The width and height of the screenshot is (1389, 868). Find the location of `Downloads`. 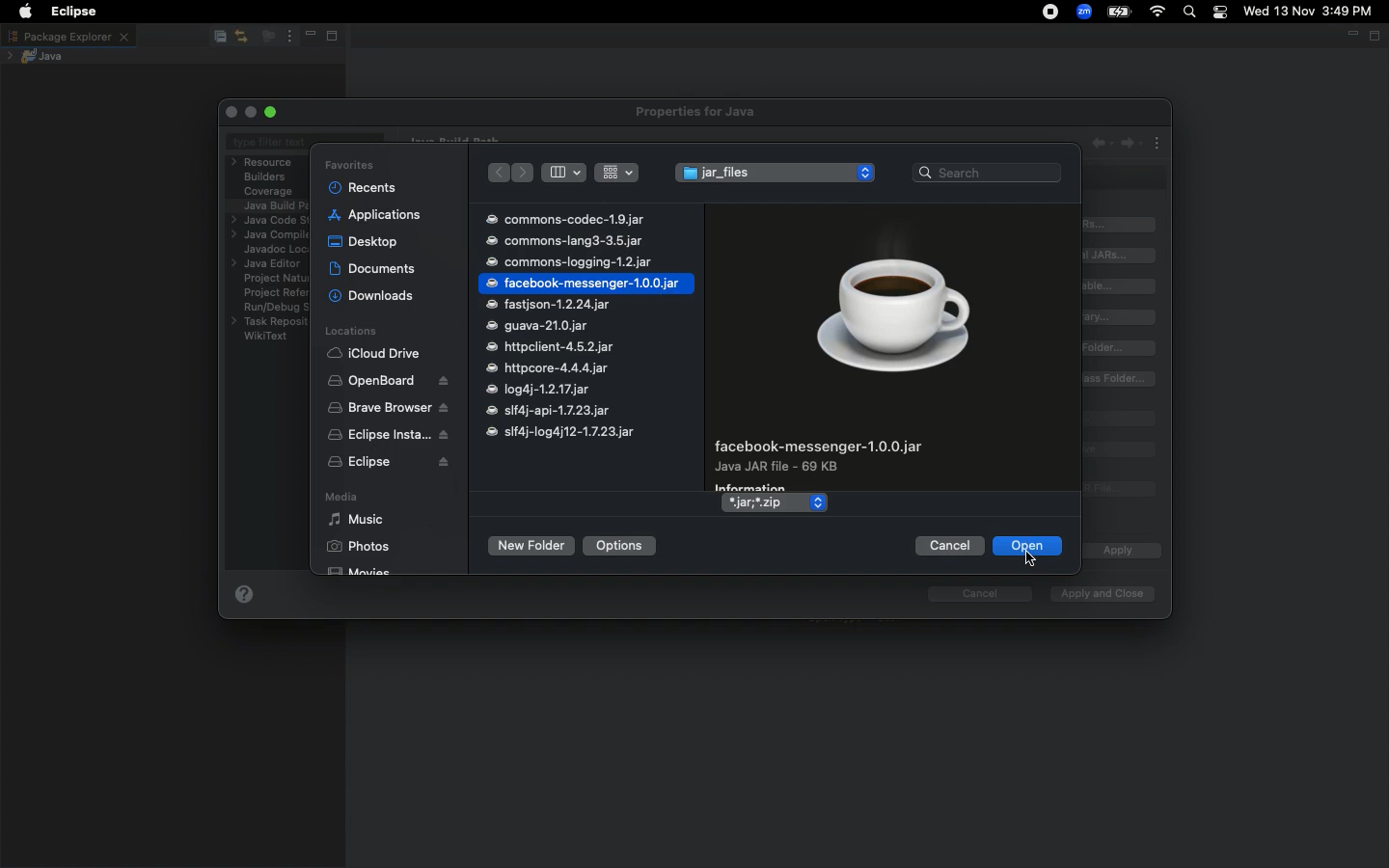

Downloads is located at coordinates (372, 296).